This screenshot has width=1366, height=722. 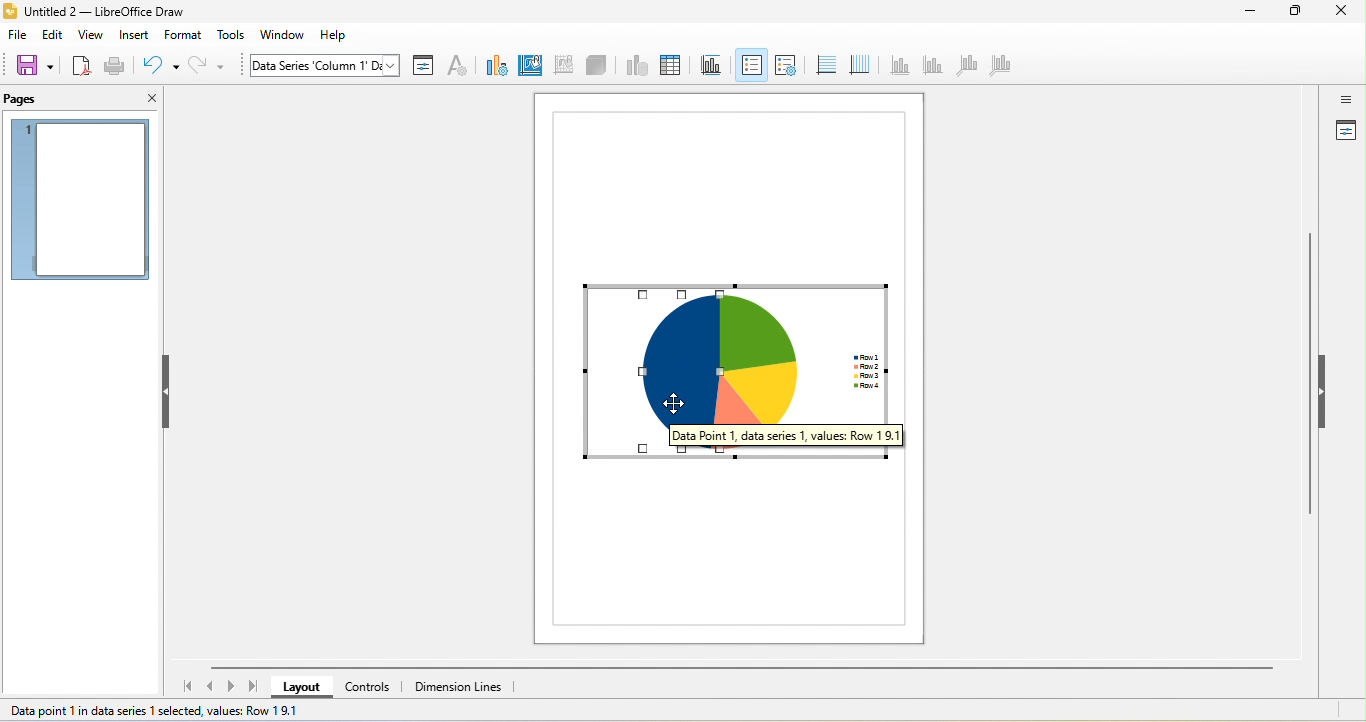 What do you see at coordinates (1345, 132) in the screenshot?
I see `properties` at bounding box center [1345, 132].